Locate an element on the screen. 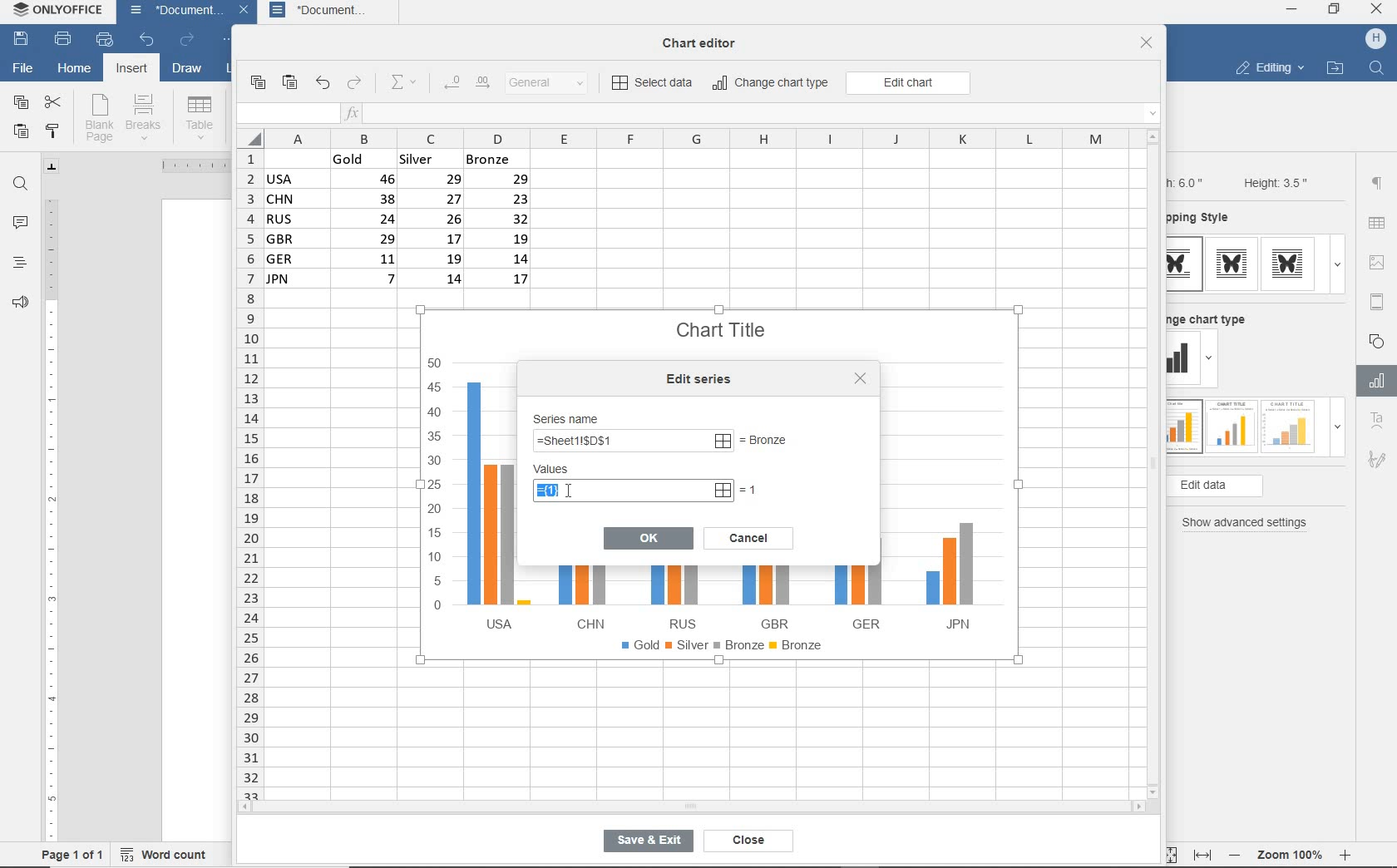 The width and height of the screenshot is (1397, 868). GBR is located at coordinates (769, 598).